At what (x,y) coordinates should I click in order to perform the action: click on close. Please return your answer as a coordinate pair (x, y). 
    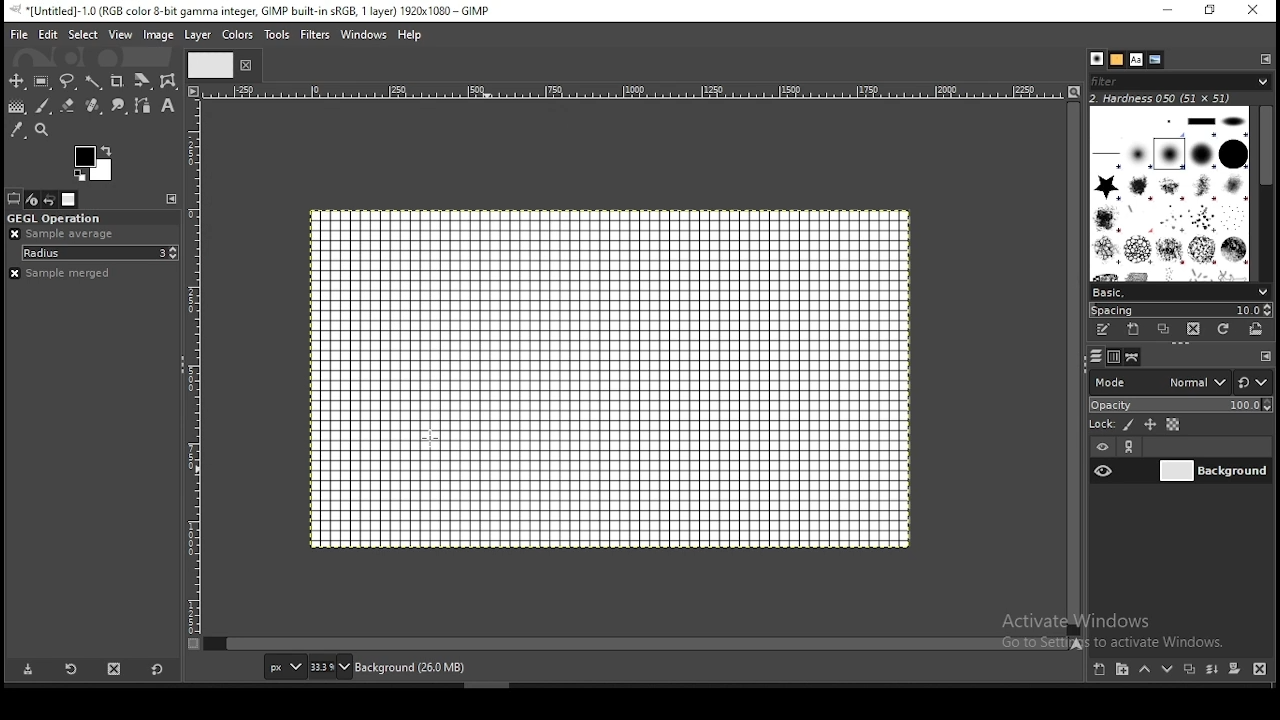
    Looking at the image, I should click on (244, 65).